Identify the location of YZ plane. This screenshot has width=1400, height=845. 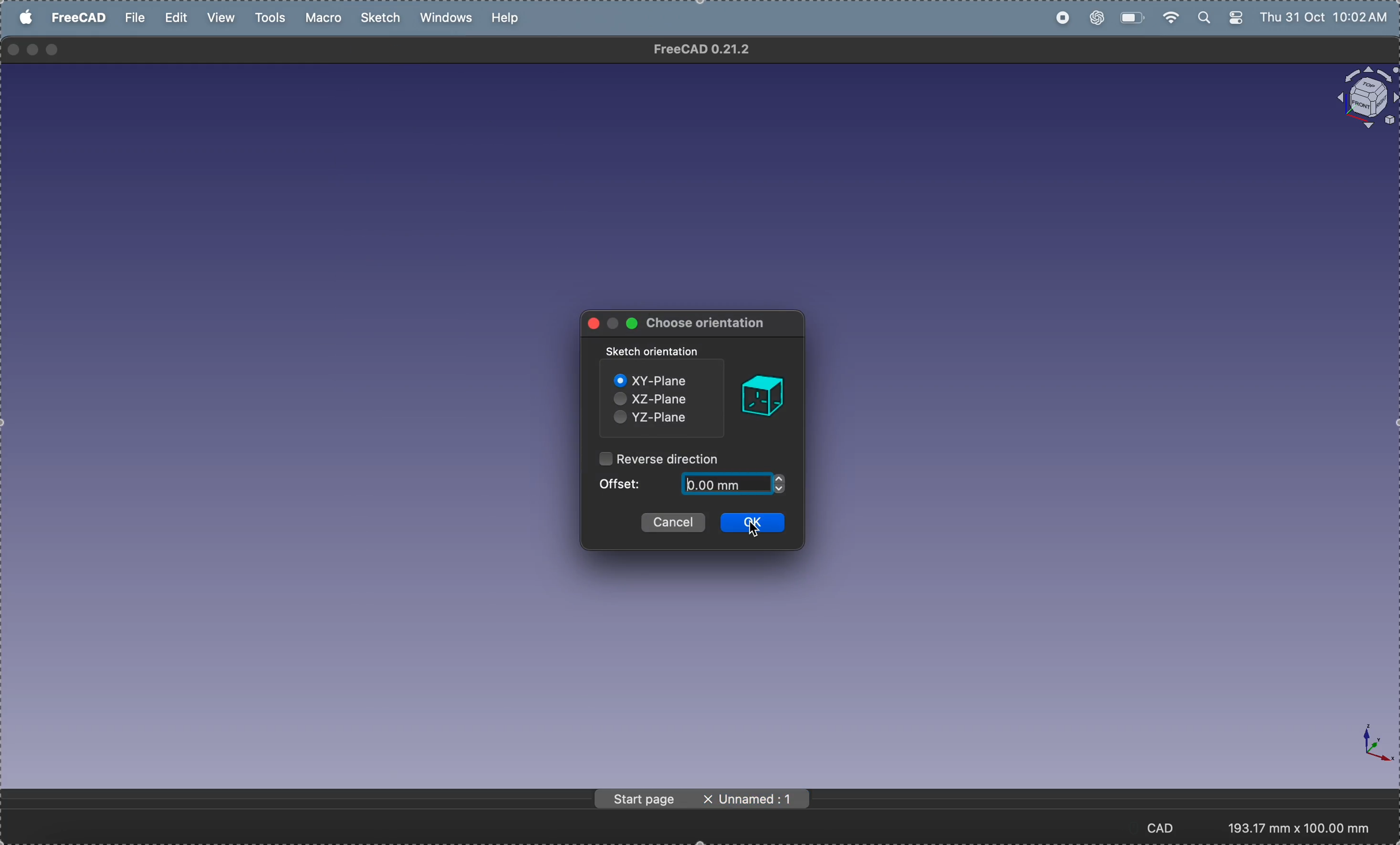
(665, 419).